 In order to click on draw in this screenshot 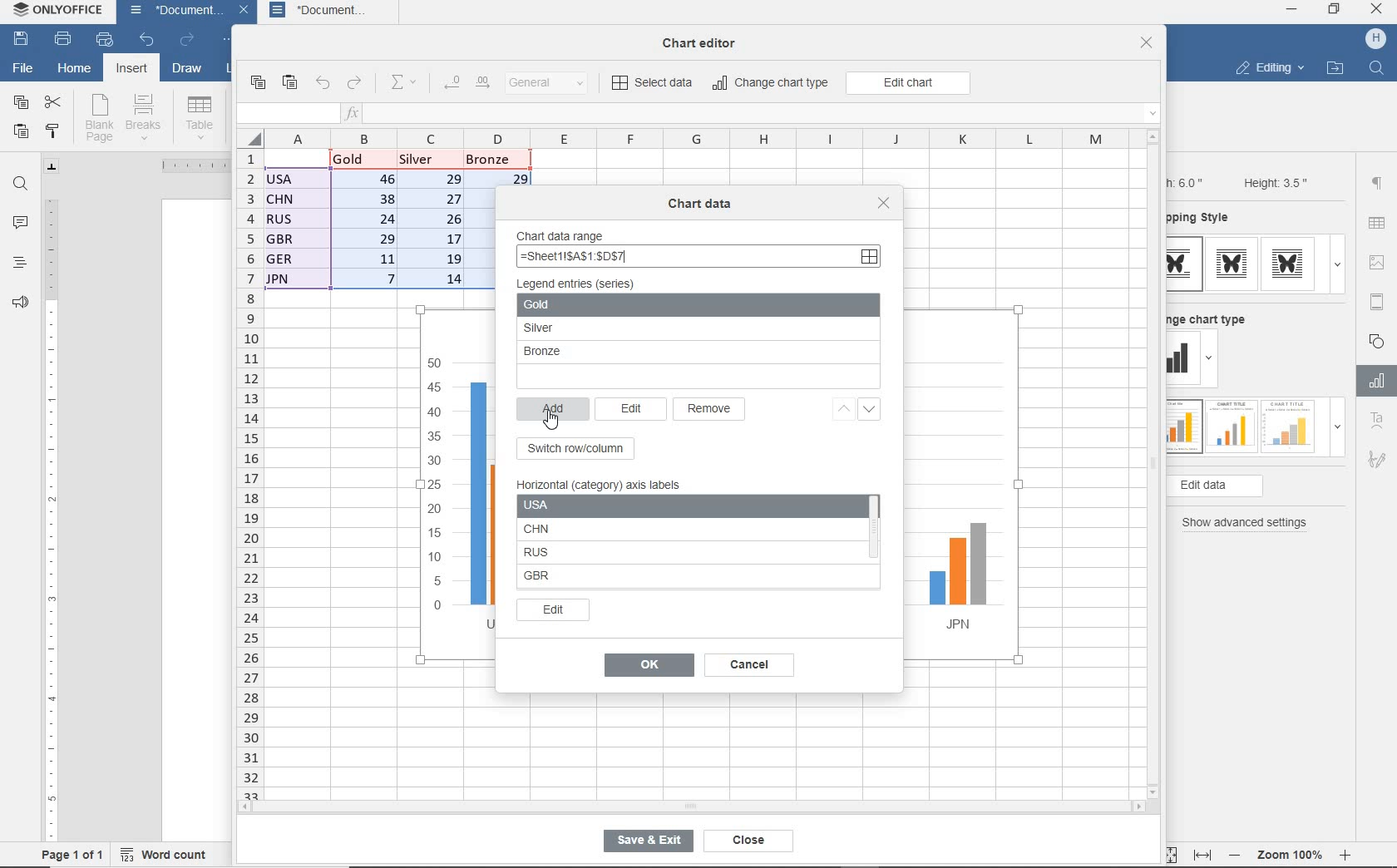, I will do `click(188, 71)`.